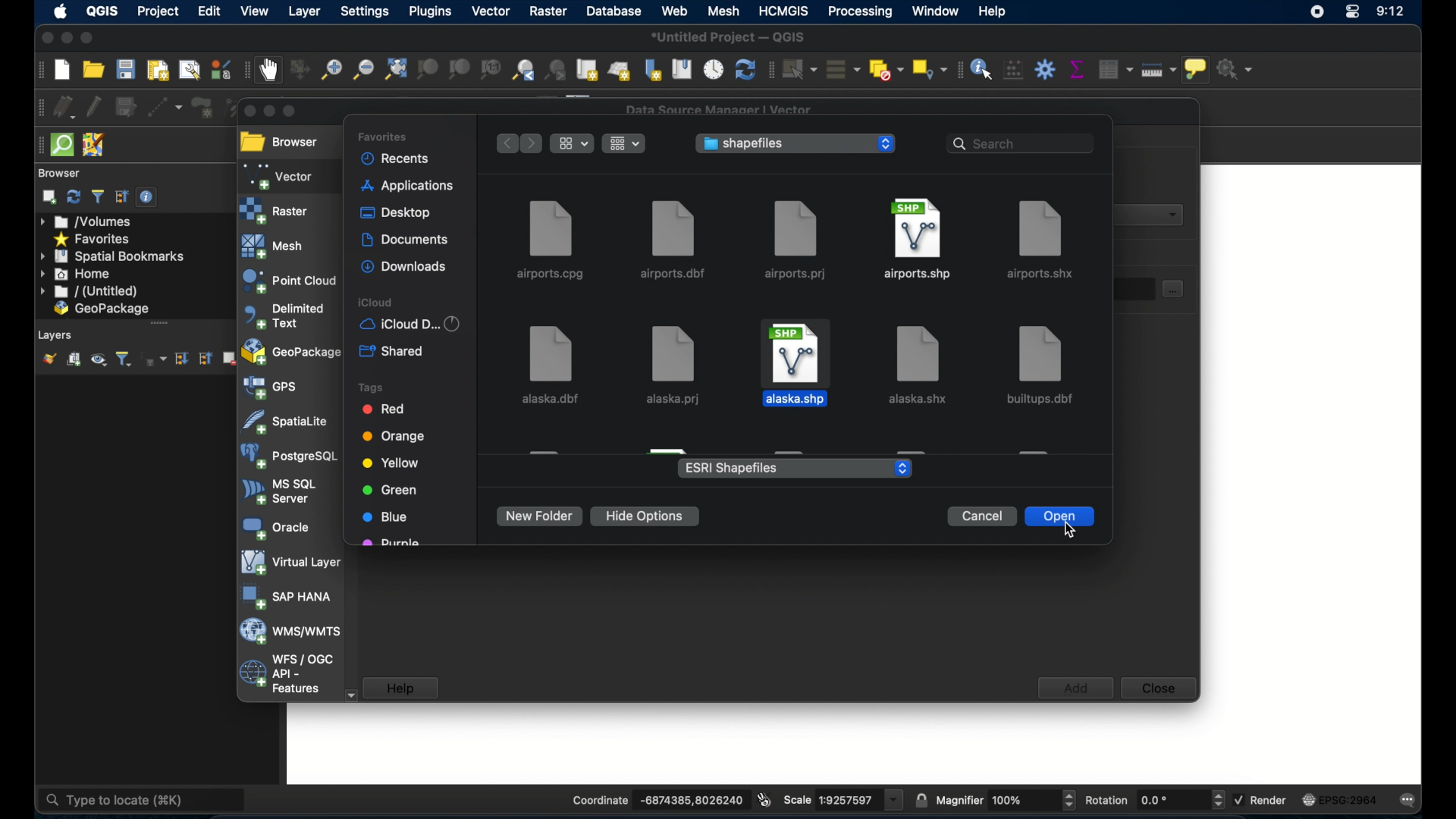 Image resolution: width=1456 pixels, height=819 pixels. Describe the element at coordinates (351, 694) in the screenshot. I see `scroll down arrow` at that location.